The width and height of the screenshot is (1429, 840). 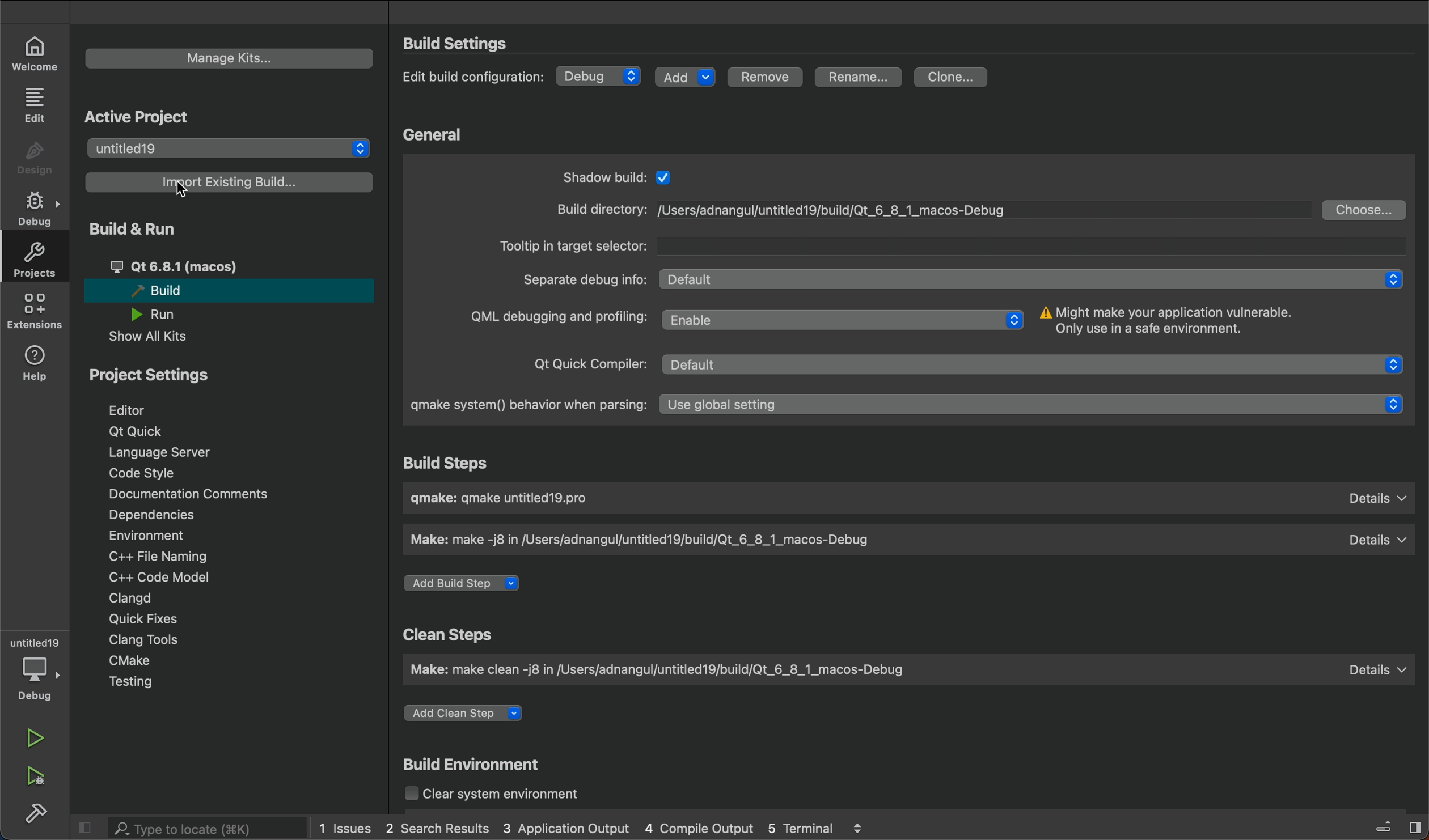 I want to click on cursor, so click(x=178, y=184).